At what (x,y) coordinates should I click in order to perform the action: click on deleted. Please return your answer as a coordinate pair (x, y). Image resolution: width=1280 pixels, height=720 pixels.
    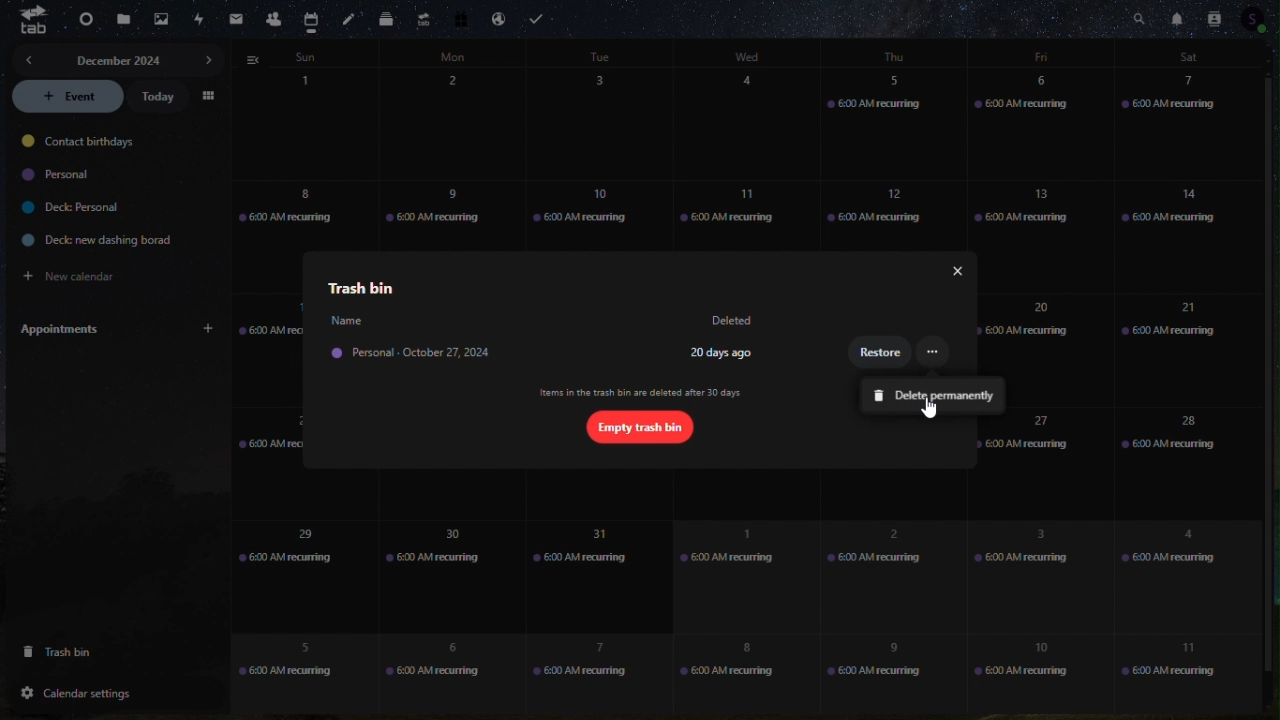
    Looking at the image, I should click on (735, 321).